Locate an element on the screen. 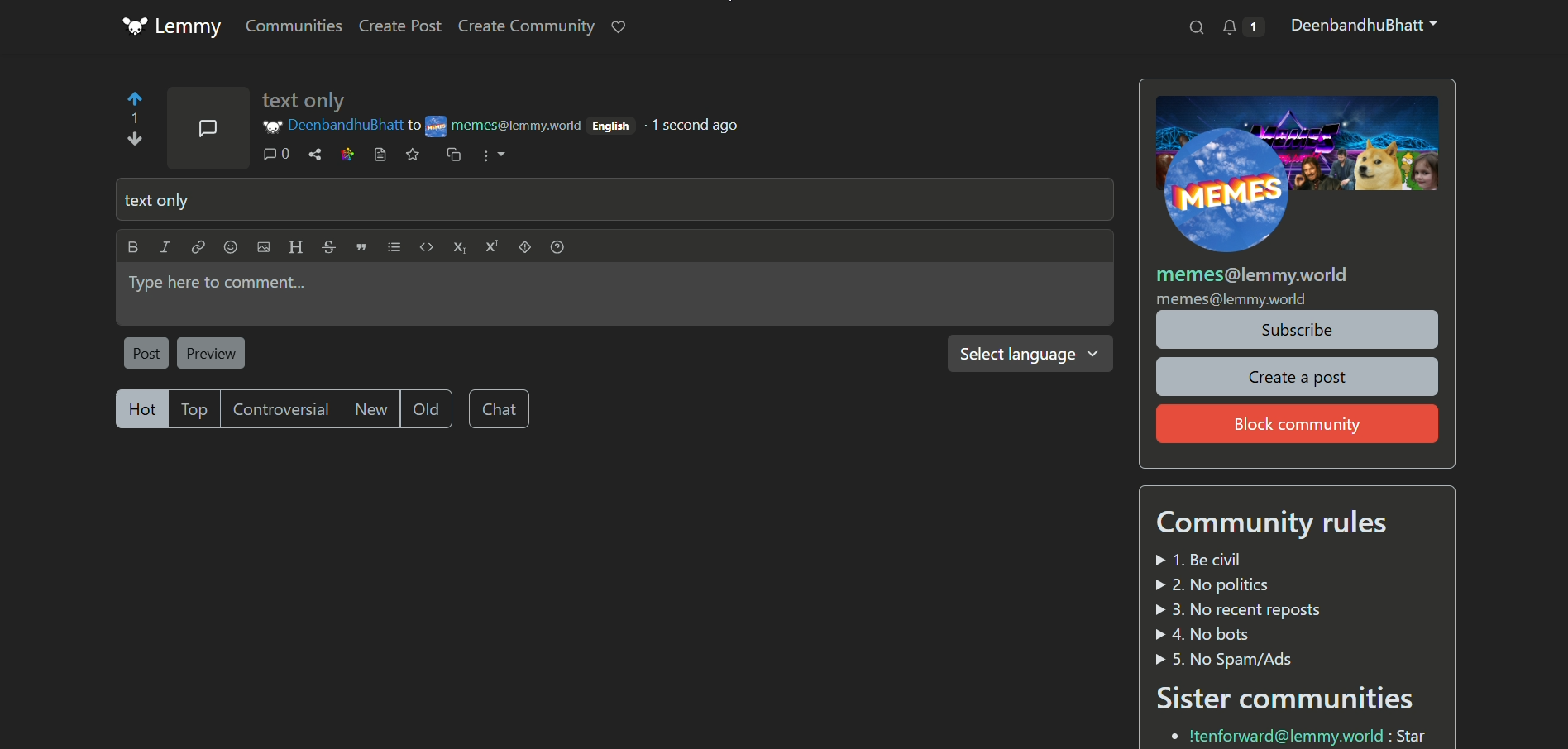 This screenshot has height=749, width=1568. block a community is located at coordinates (1298, 423).